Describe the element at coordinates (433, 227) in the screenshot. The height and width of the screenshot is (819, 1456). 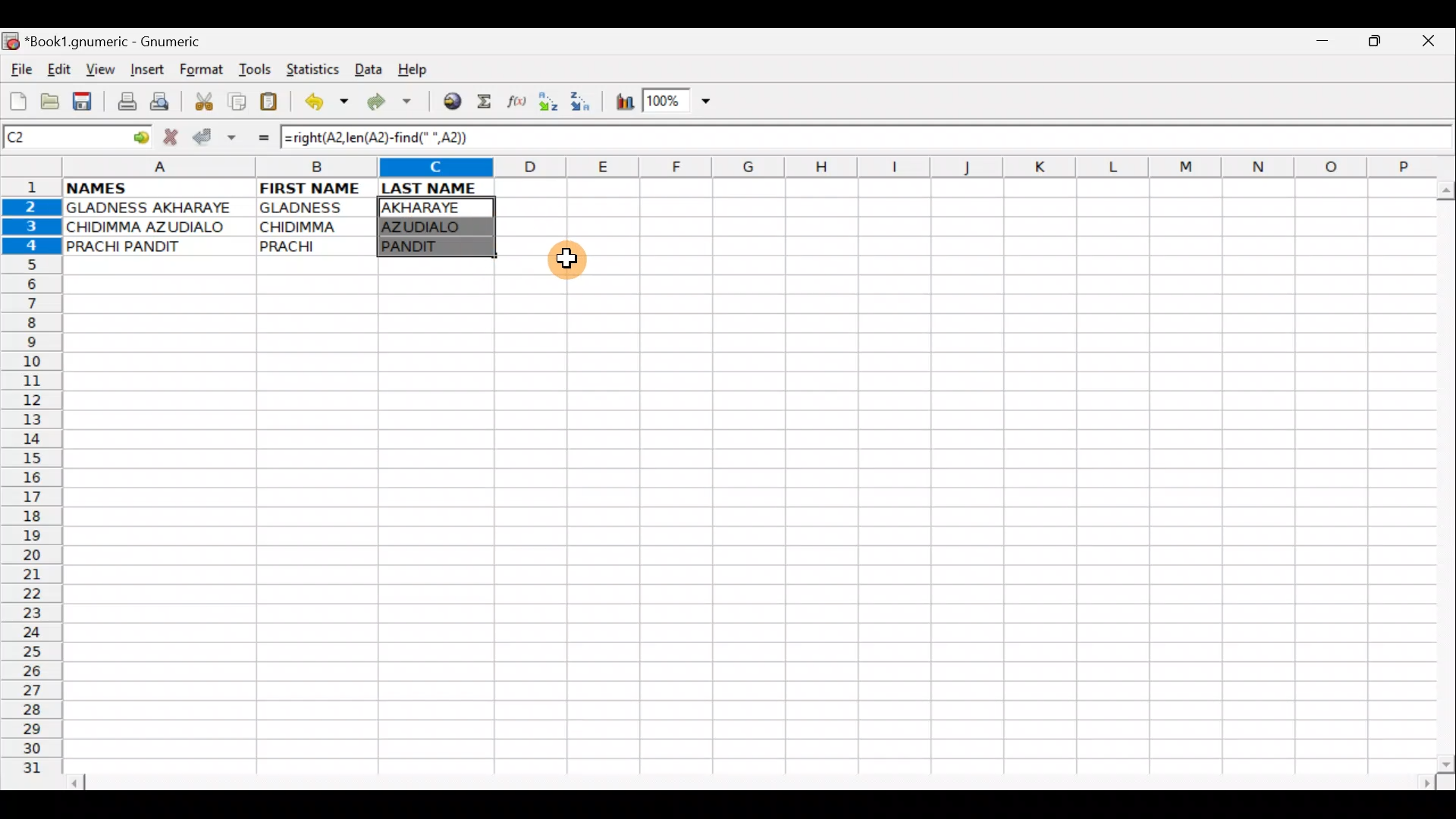
I see `AZUDIALO` at that location.